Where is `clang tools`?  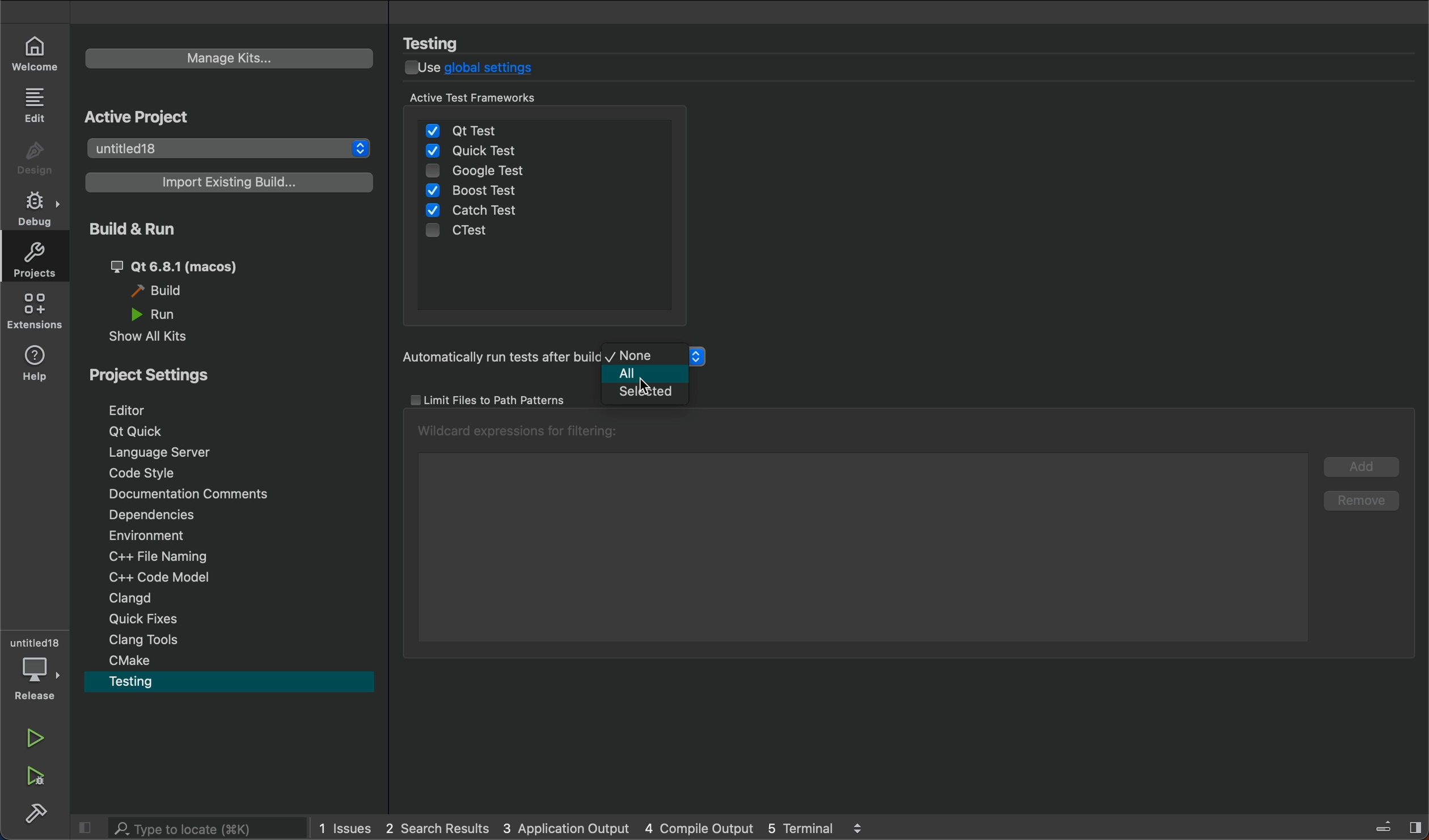 clang tools is located at coordinates (155, 642).